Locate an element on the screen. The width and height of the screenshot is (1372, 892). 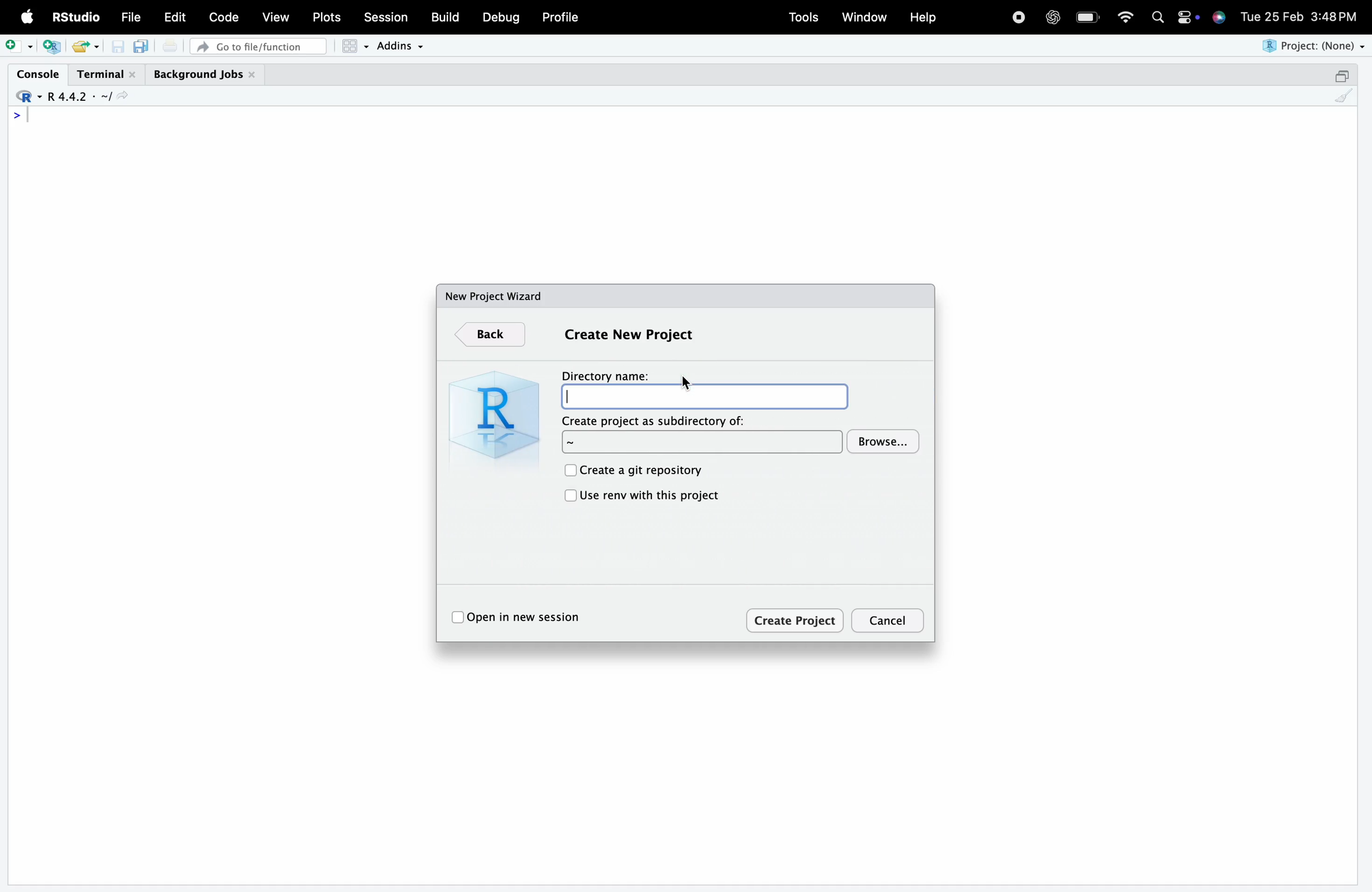
view the current working directory is located at coordinates (122, 96).